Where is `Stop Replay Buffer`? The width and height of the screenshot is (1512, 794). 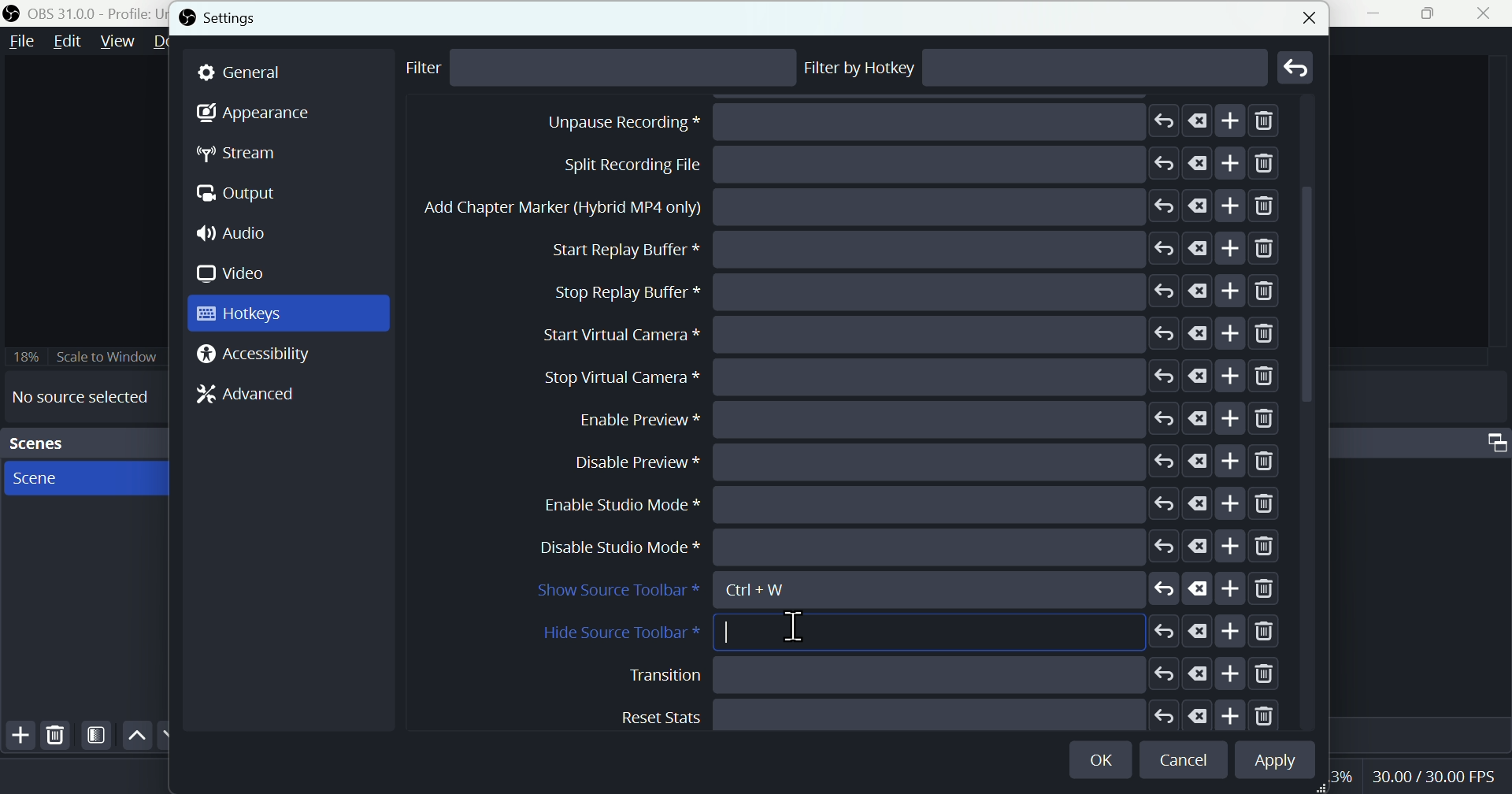
Stop Replay Buffer is located at coordinates (916, 462).